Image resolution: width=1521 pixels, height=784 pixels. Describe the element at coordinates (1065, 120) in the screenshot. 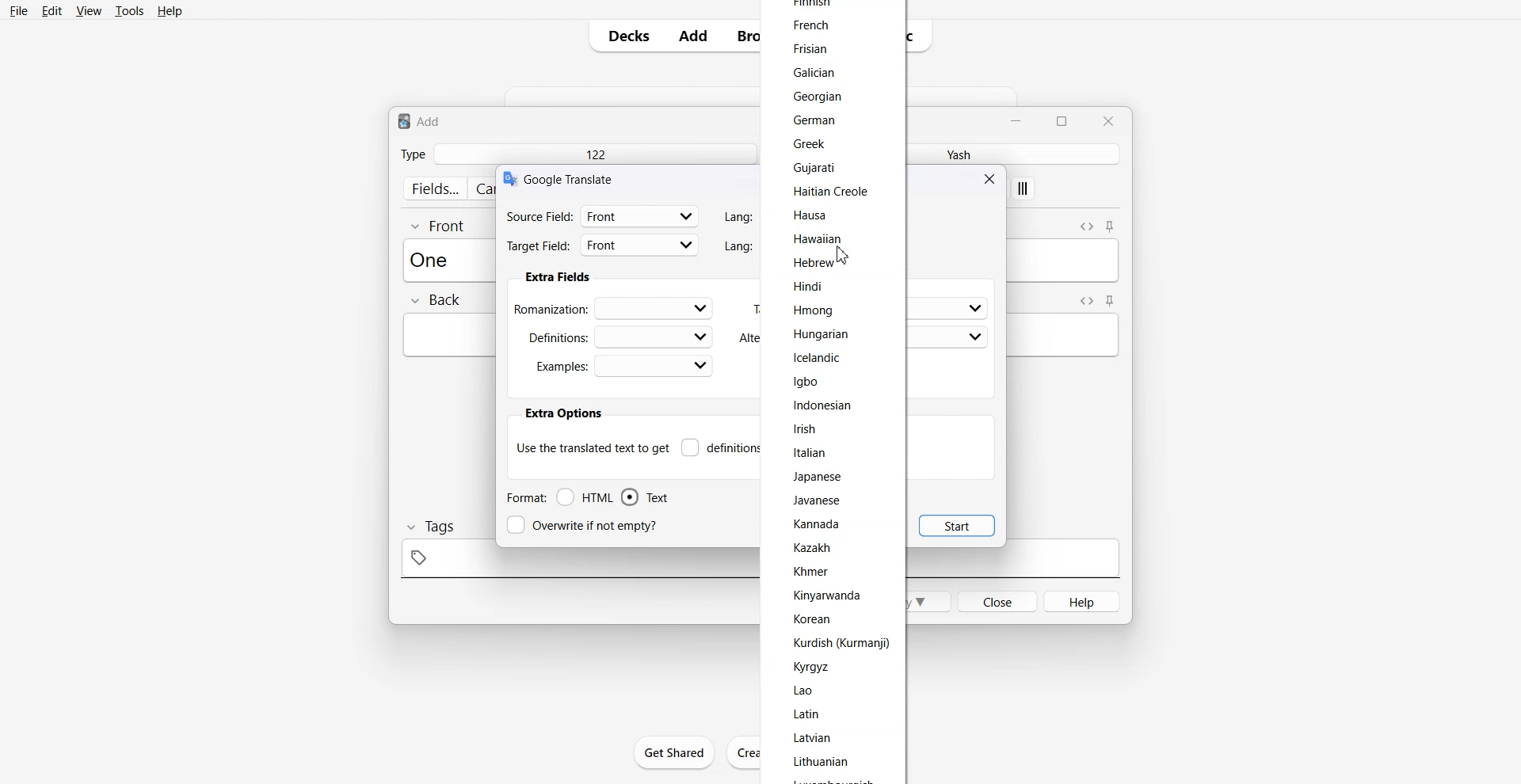

I see `Maximize` at that location.